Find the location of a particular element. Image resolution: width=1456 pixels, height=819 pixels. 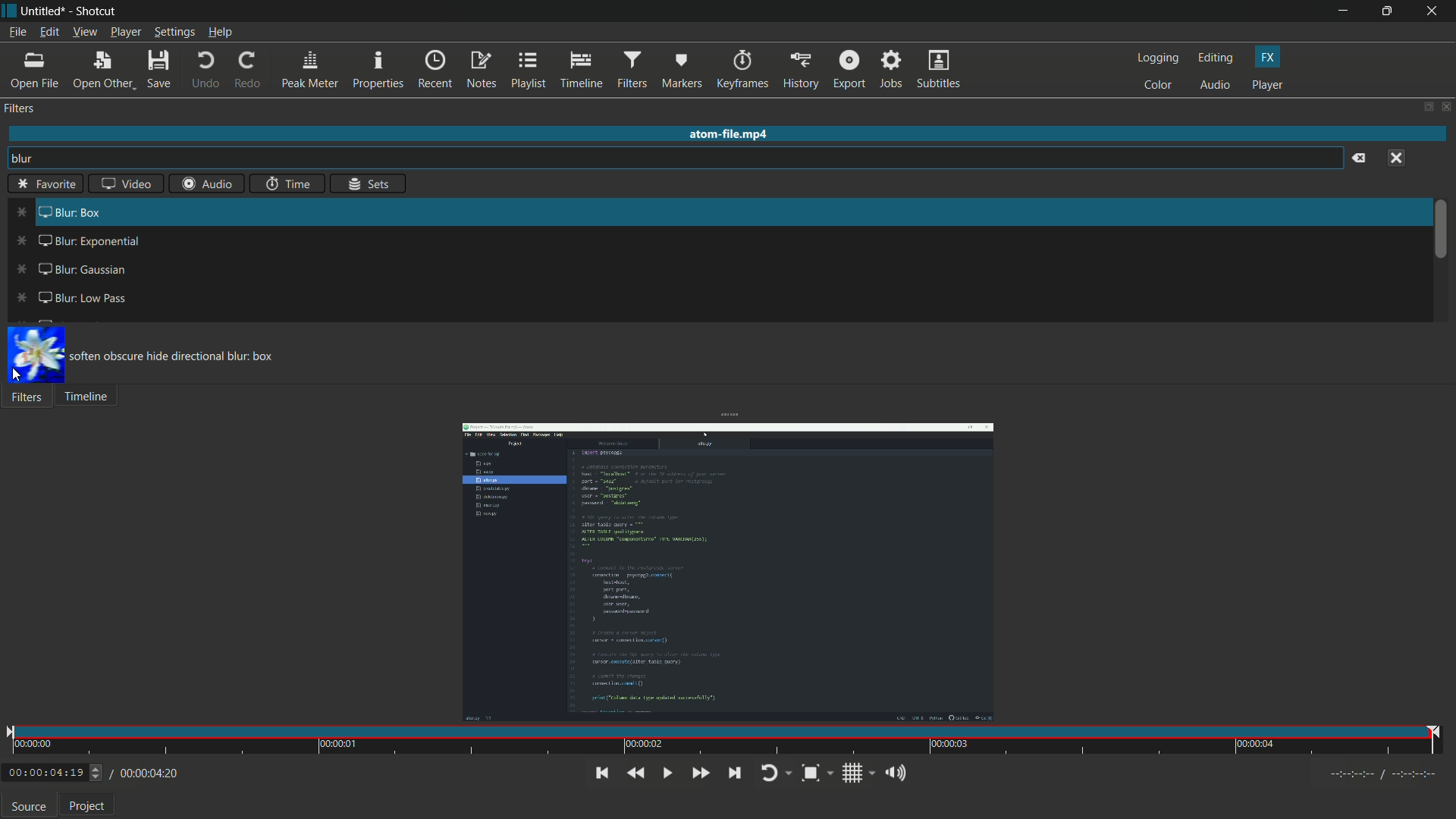

soften obscure hide directional blur: box is located at coordinates (177, 357).